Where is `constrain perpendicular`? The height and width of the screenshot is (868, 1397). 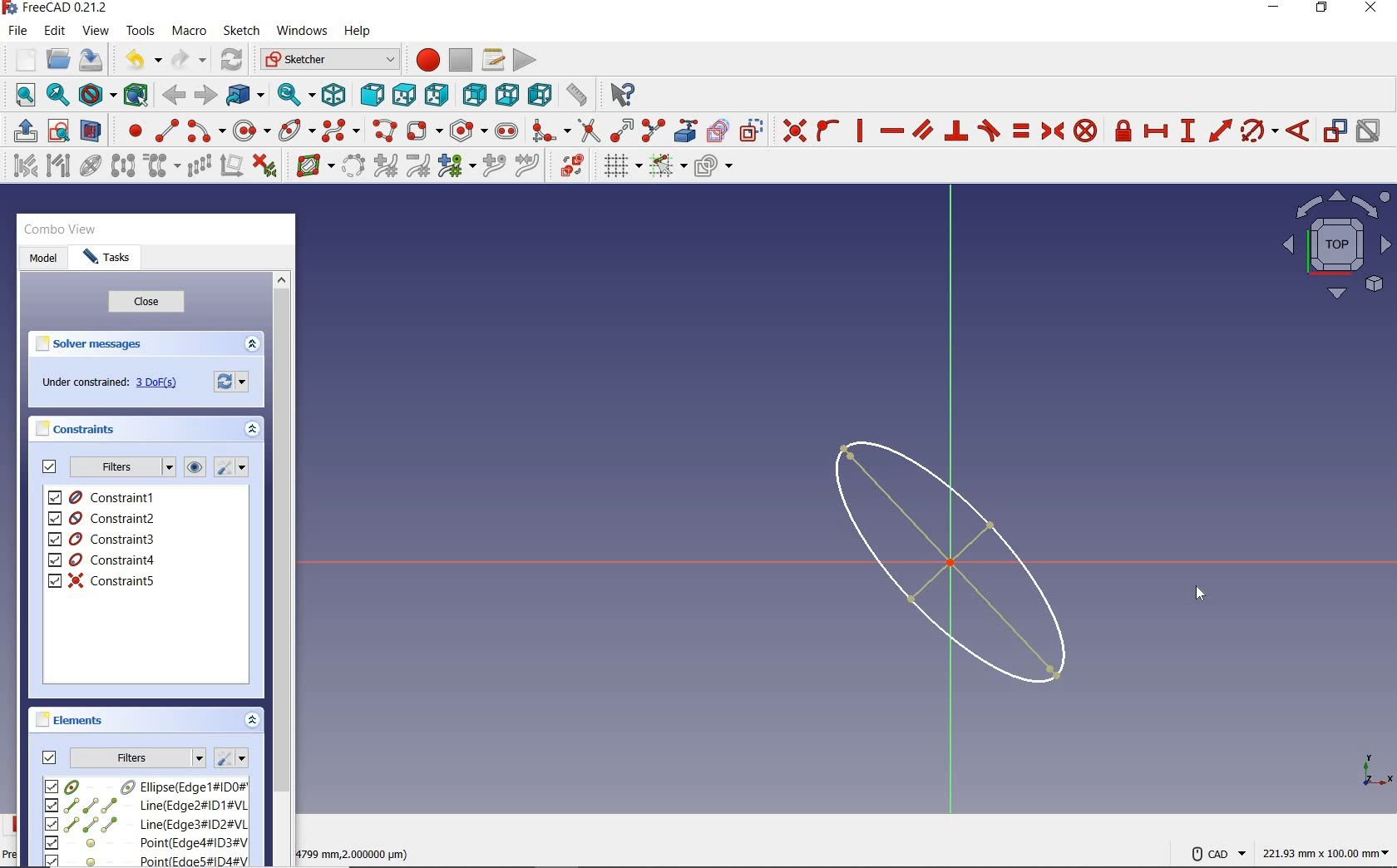 constrain perpendicular is located at coordinates (957, 131).